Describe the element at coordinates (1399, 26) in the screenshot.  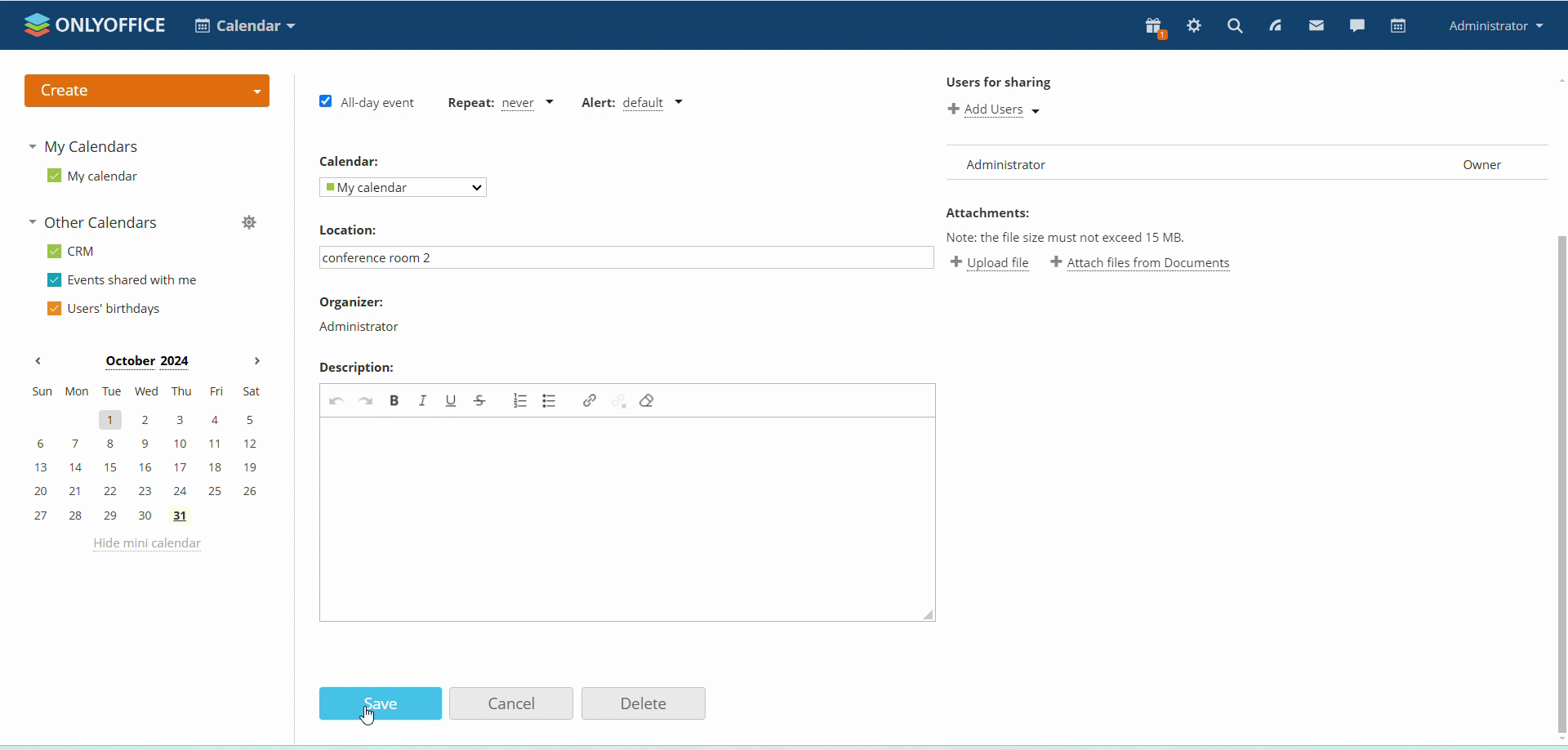
I see `calendar` at that location.